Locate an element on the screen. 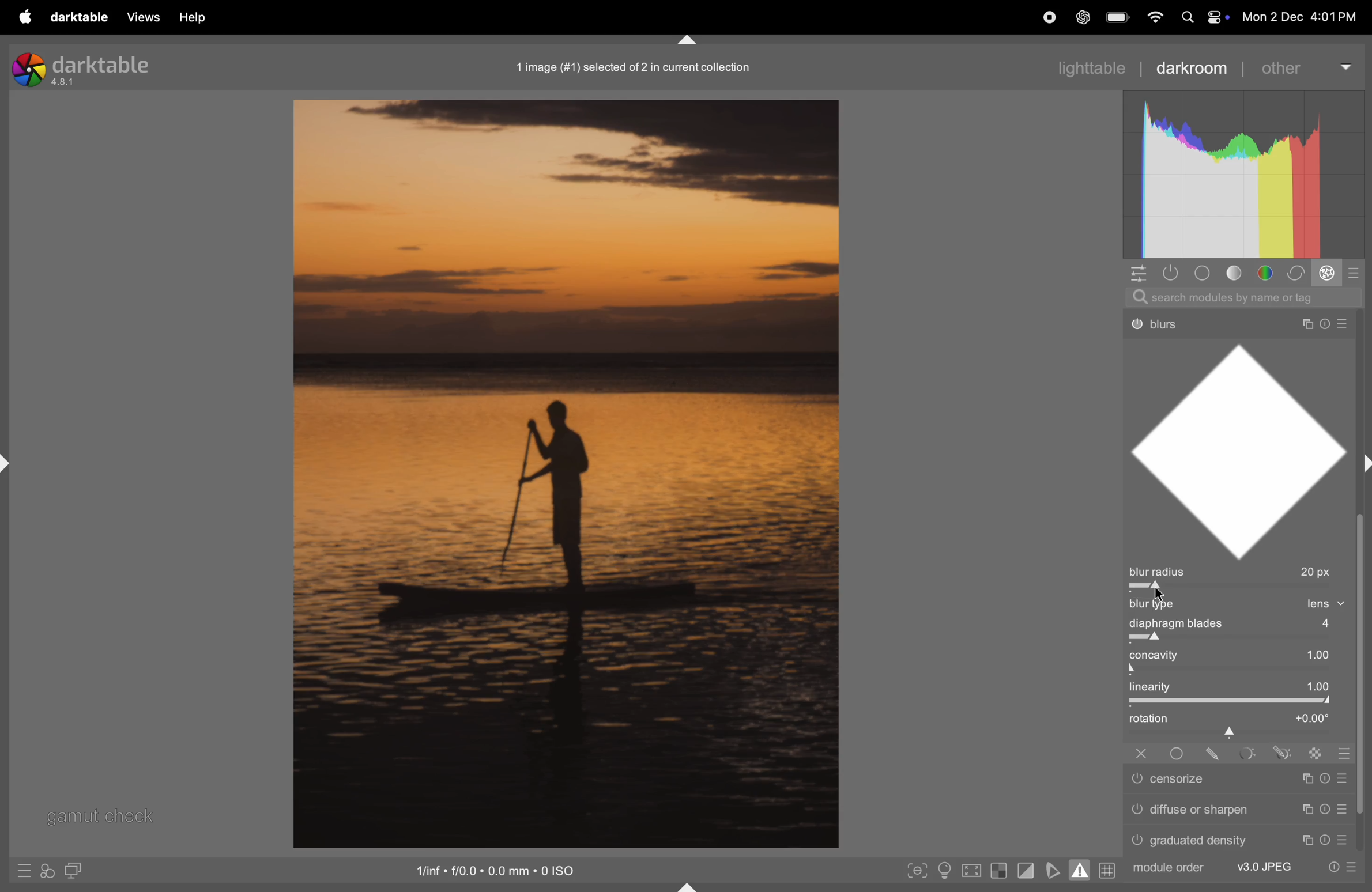 Image resolution: width=1372 pixels, height=892 pixels. color is located at coordinates (1268, 272).